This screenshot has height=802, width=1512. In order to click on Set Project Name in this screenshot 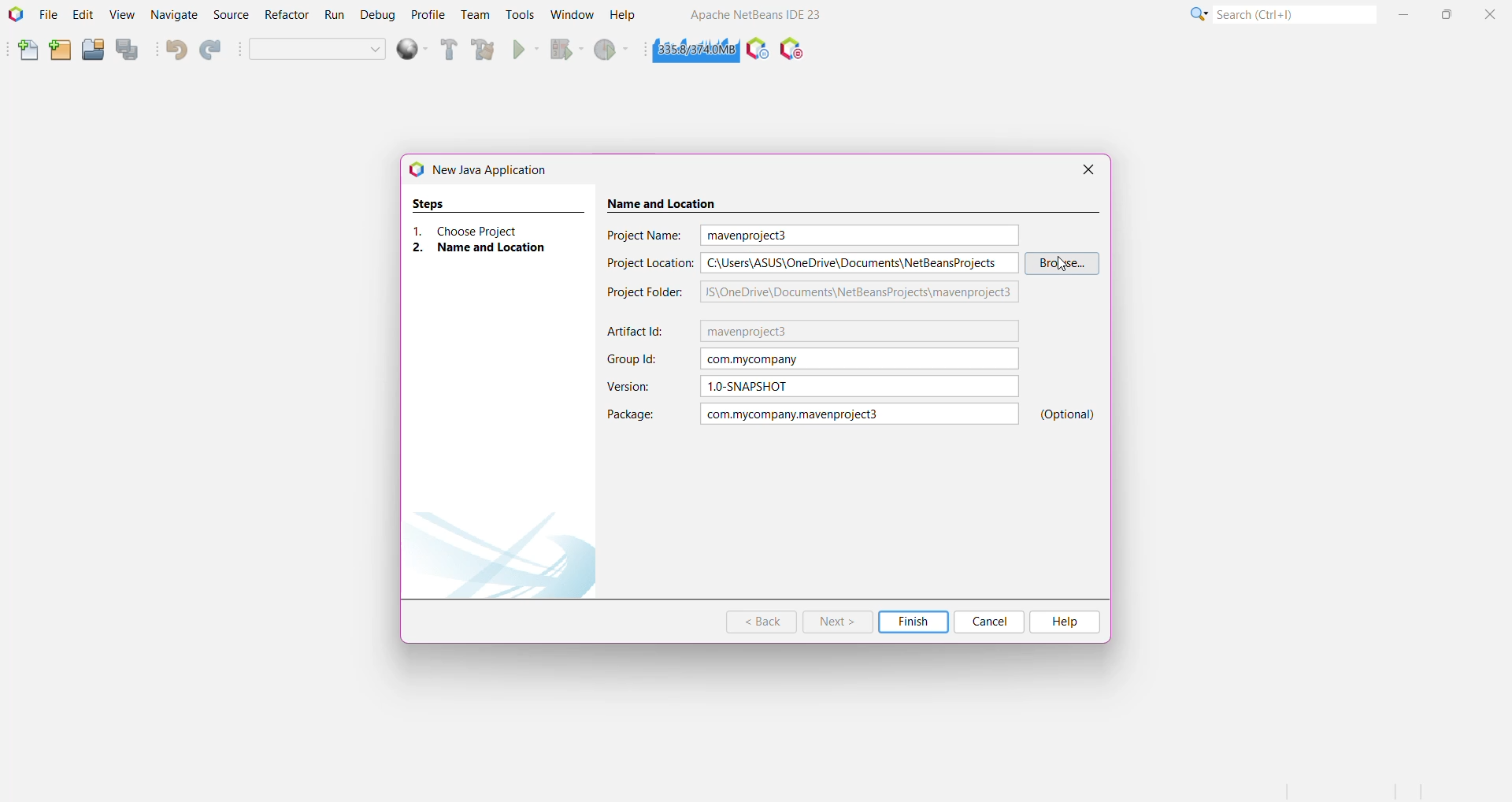, I will do `click(859, 236)`.